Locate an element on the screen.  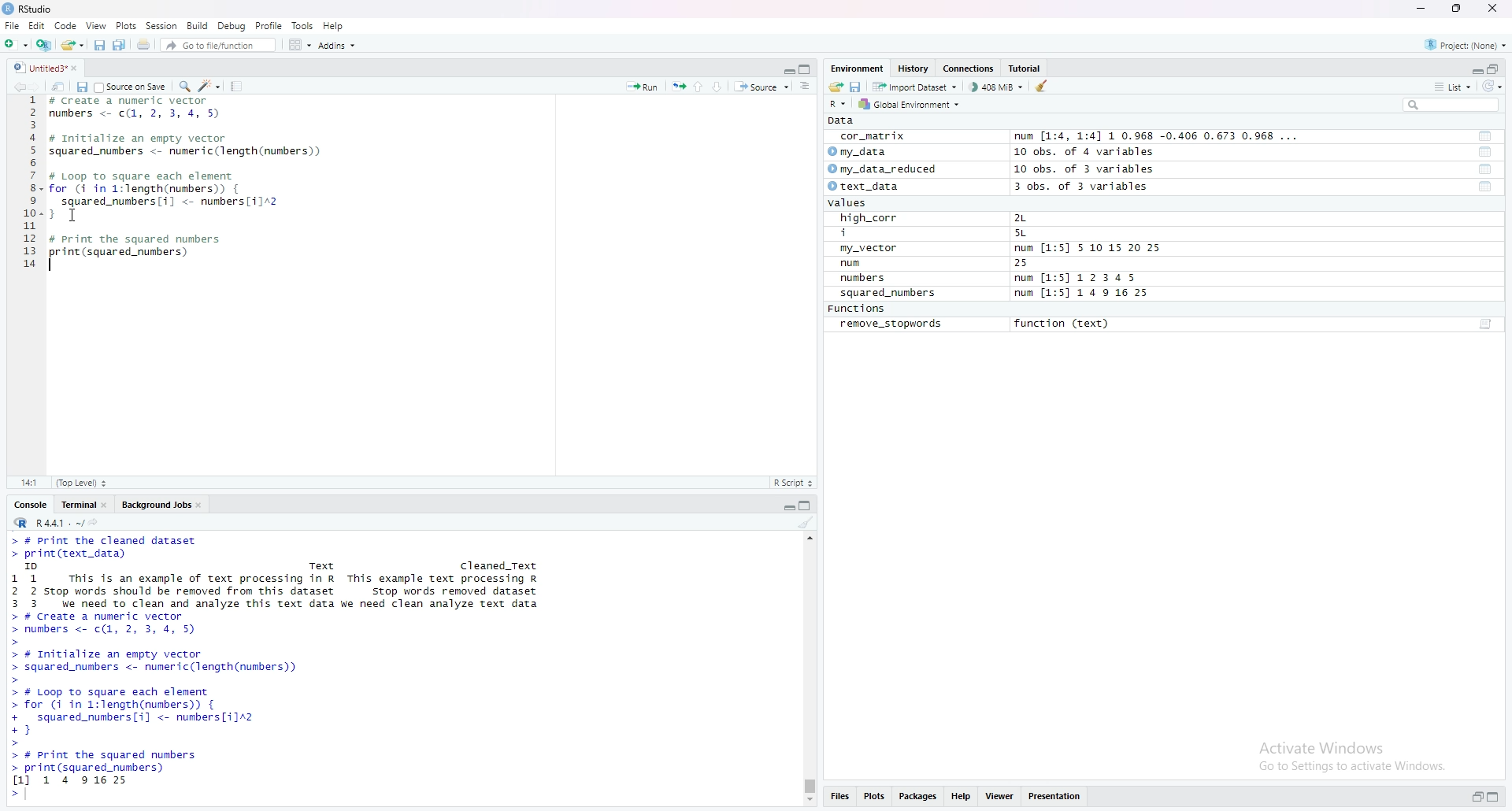
Run is located at coordinates (643, 85).